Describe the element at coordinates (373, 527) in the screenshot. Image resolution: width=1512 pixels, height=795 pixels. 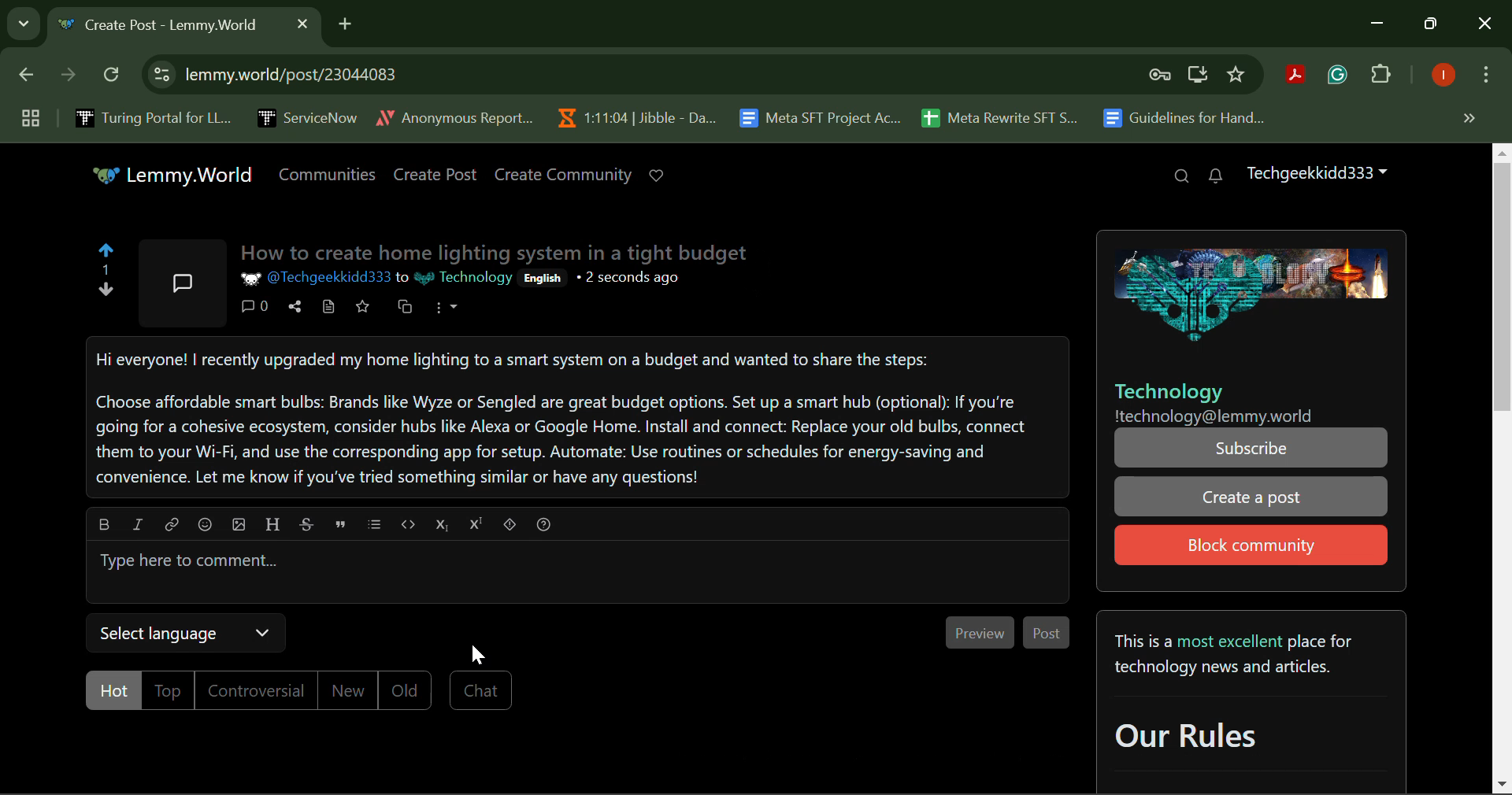
I see `list` at that location.